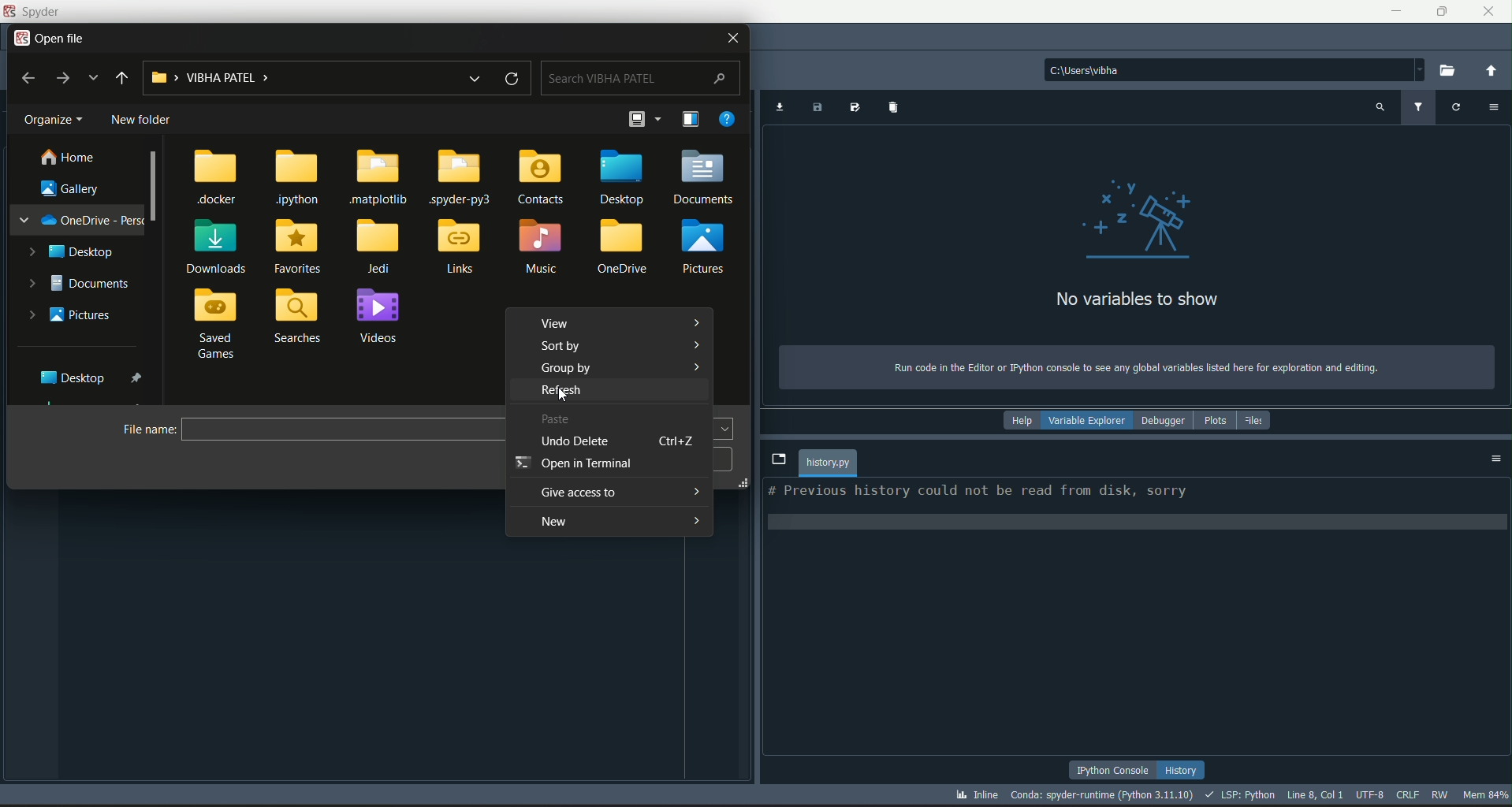 The width and height of the screenshot is (1512, 807). Describe the element at coordinates (1488, 12) in the screenshot. I see `close` at that location.